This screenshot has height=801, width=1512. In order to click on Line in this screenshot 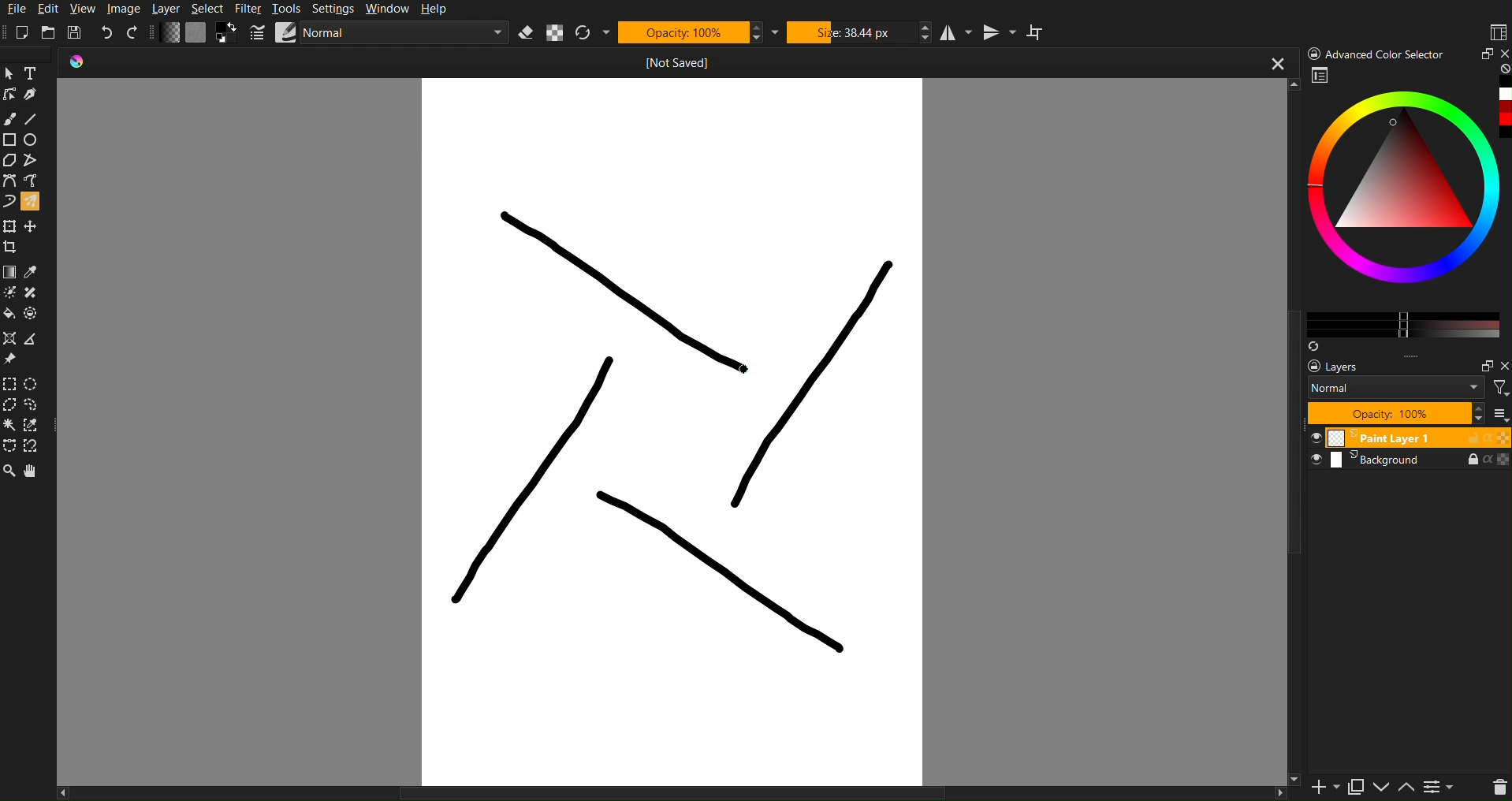, I will do `click(35, 119)`.